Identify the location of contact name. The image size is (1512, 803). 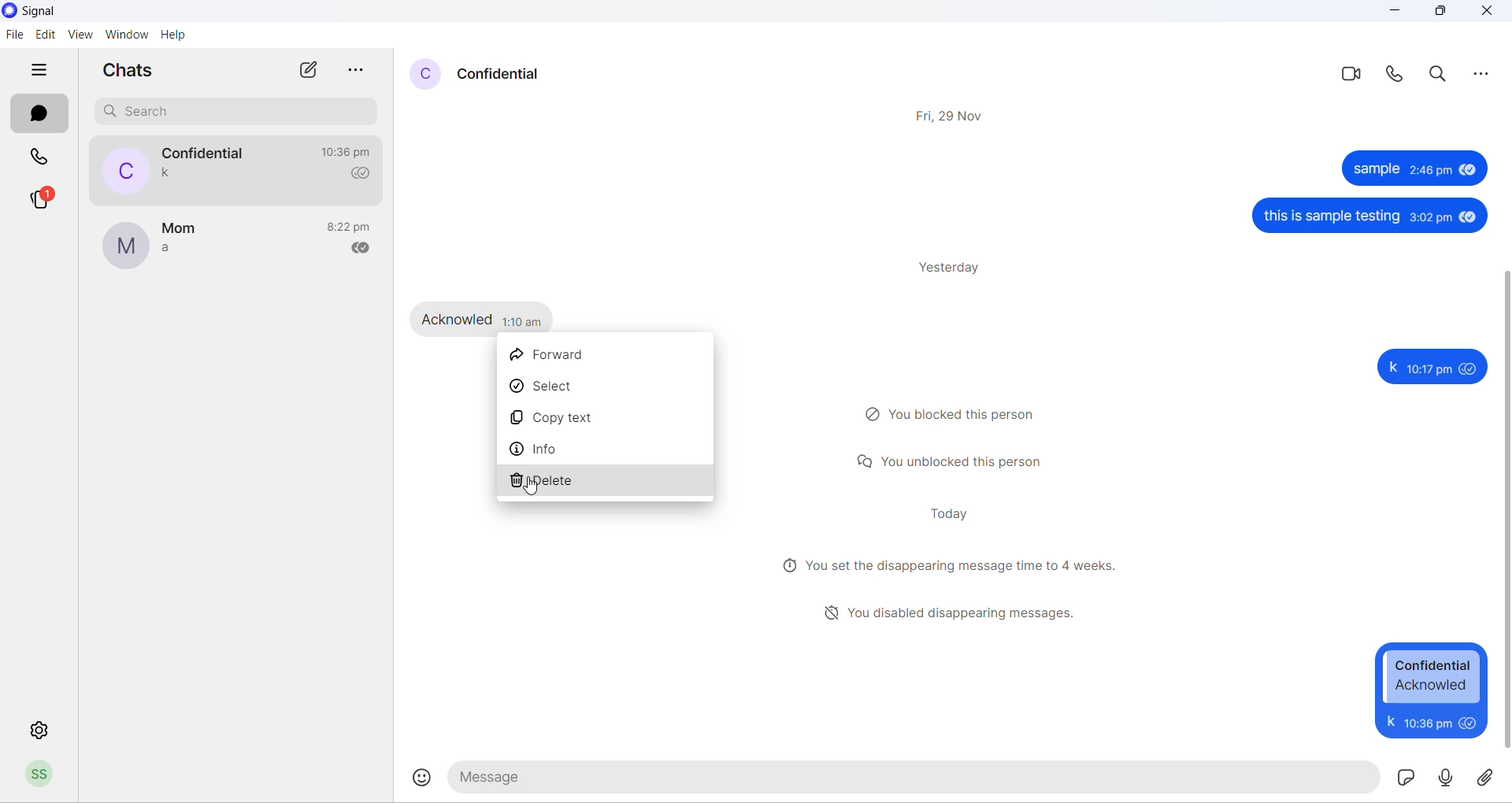
(502, 76).